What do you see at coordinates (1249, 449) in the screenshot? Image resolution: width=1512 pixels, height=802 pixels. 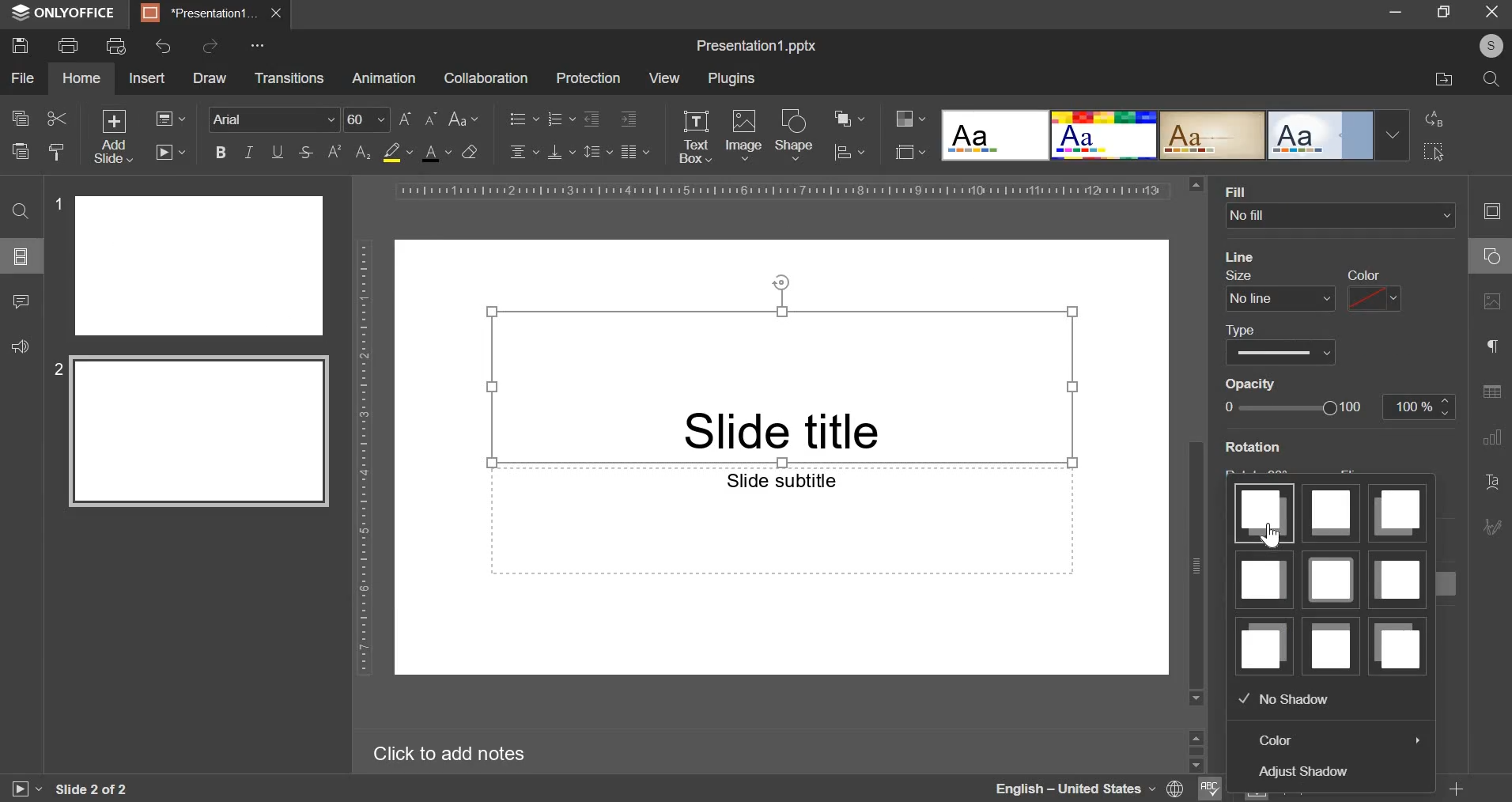 I see `rotation` at bounding box center [1249, 449].